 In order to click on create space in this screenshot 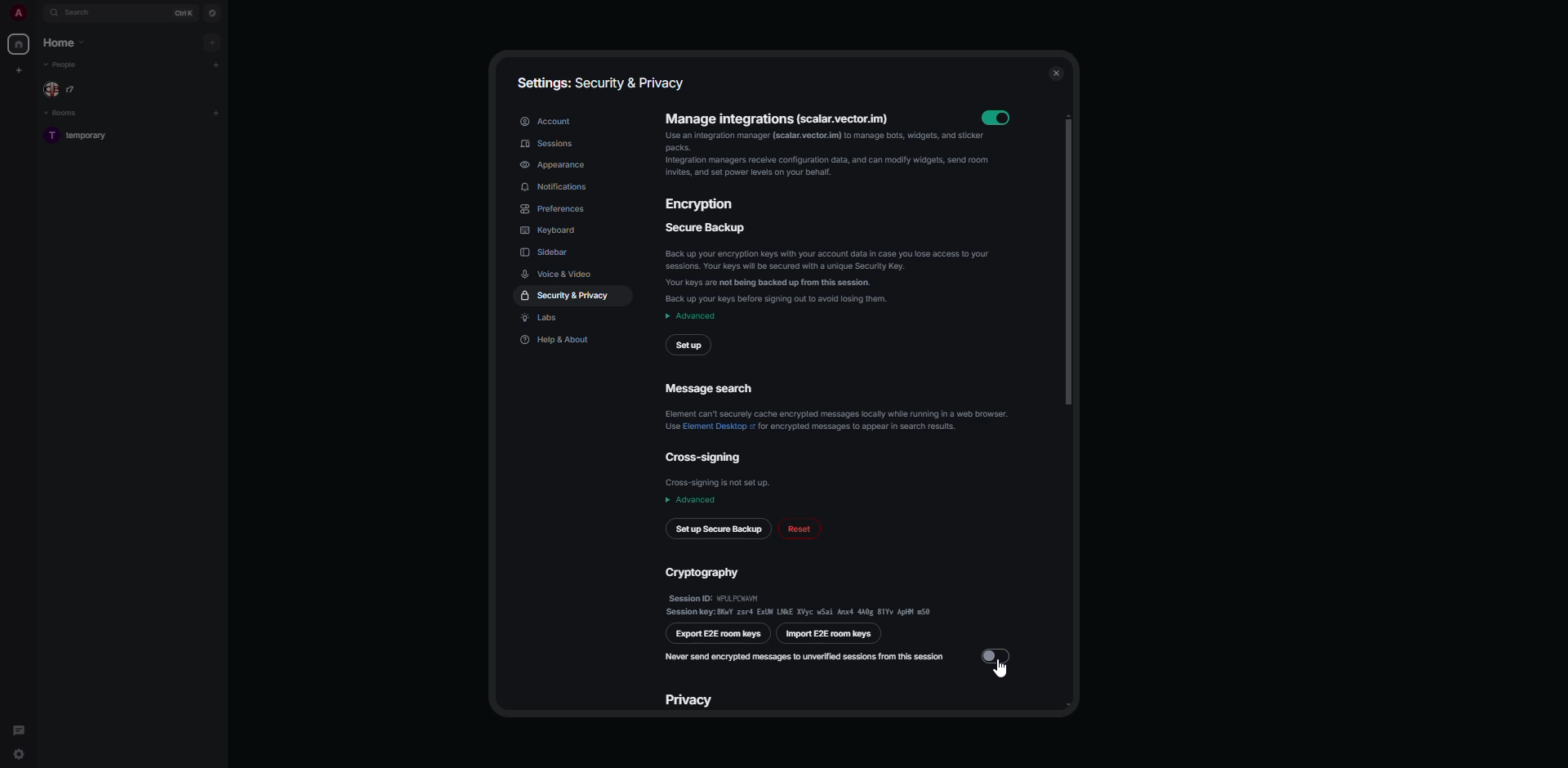, I will do `click(18, 69)`.